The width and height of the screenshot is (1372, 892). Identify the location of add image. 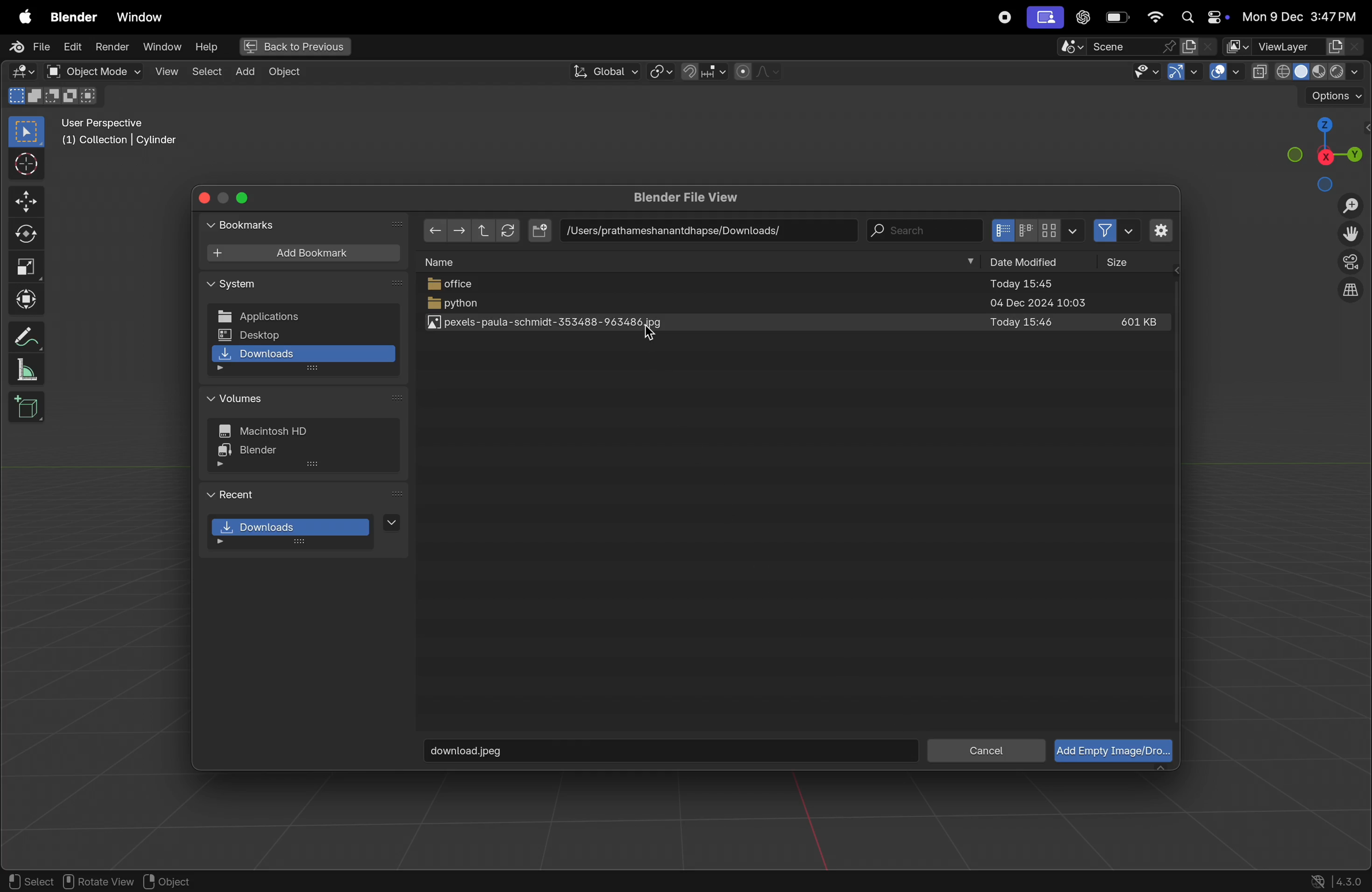
(1111, 751).